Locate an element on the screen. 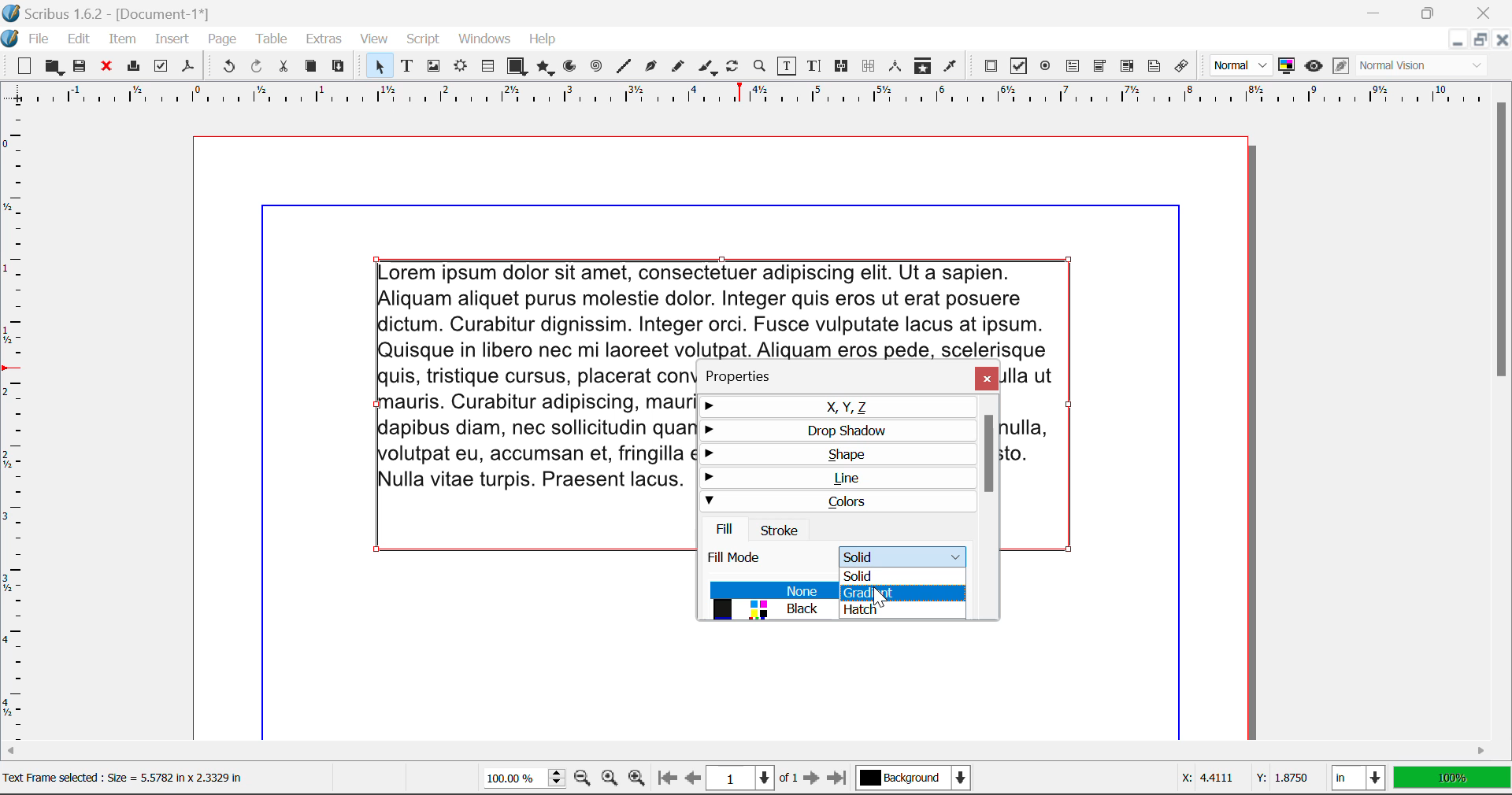 This screenshot has width=1512, height=795. Zoom In is located at coordinates (637, 780).